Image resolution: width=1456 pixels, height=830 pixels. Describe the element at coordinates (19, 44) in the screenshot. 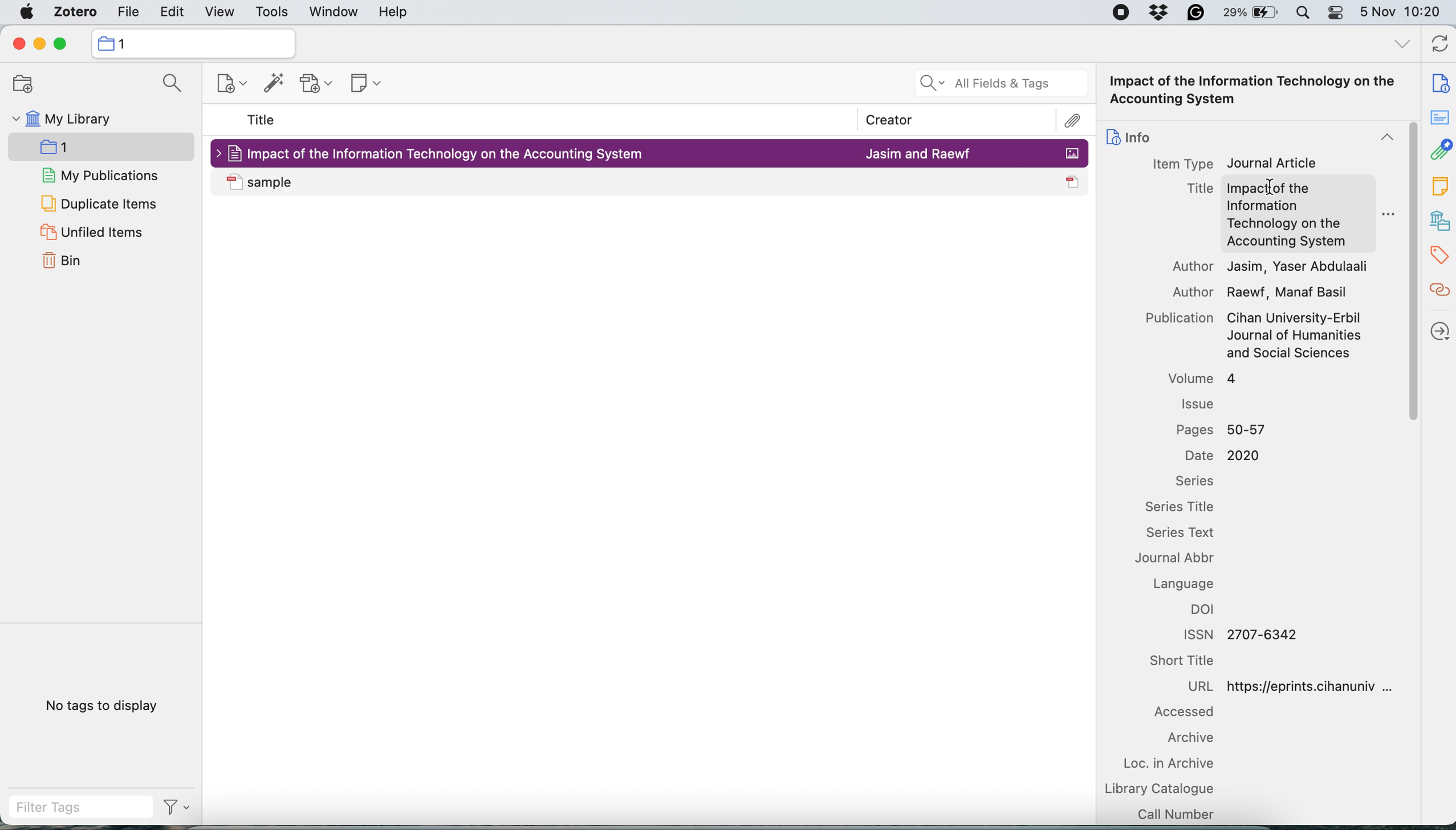

I see `close` at that location.